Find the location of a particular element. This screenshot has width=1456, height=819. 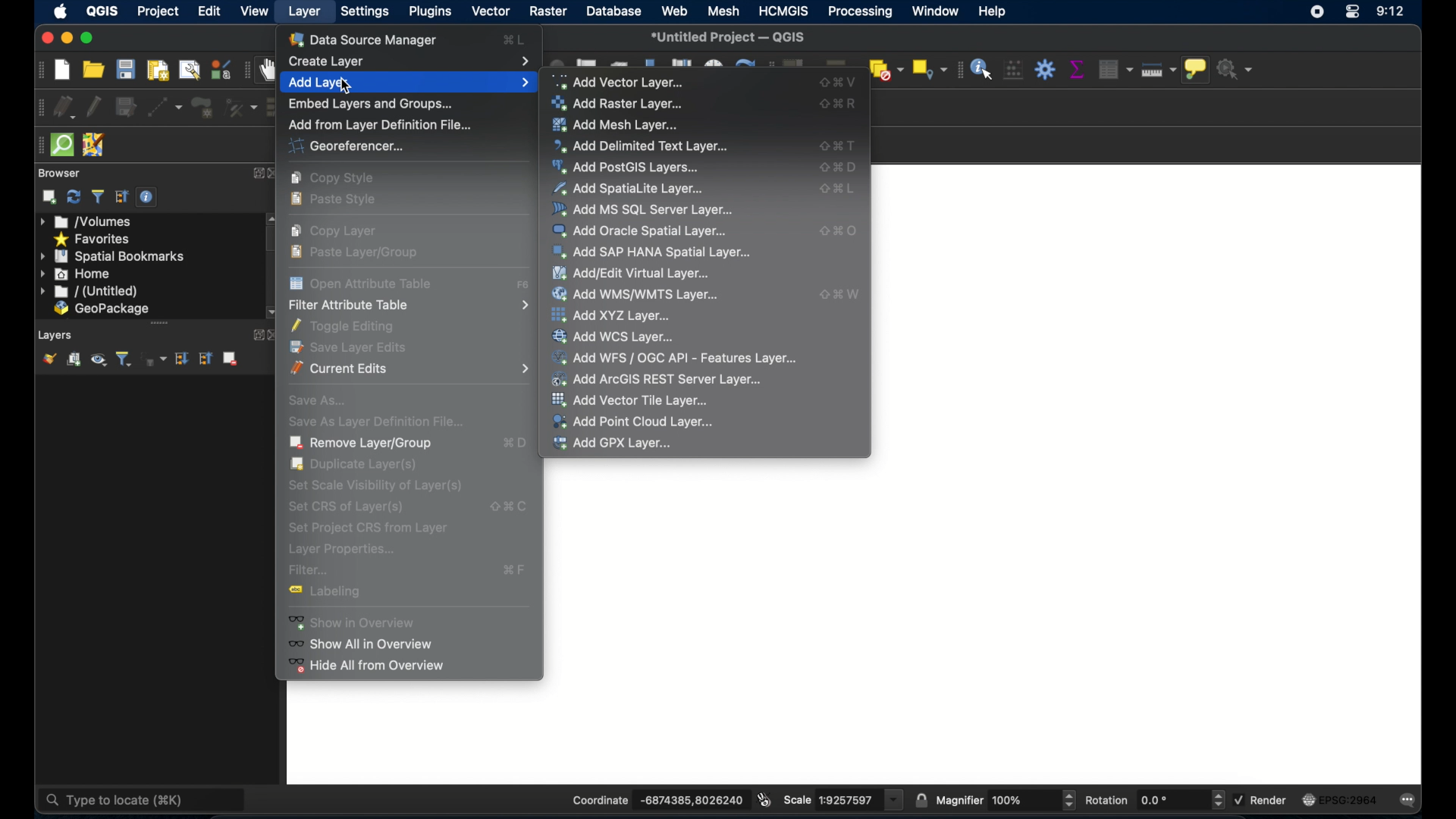

Set CRS of Layer(s) is located at coordinates (411, 507).